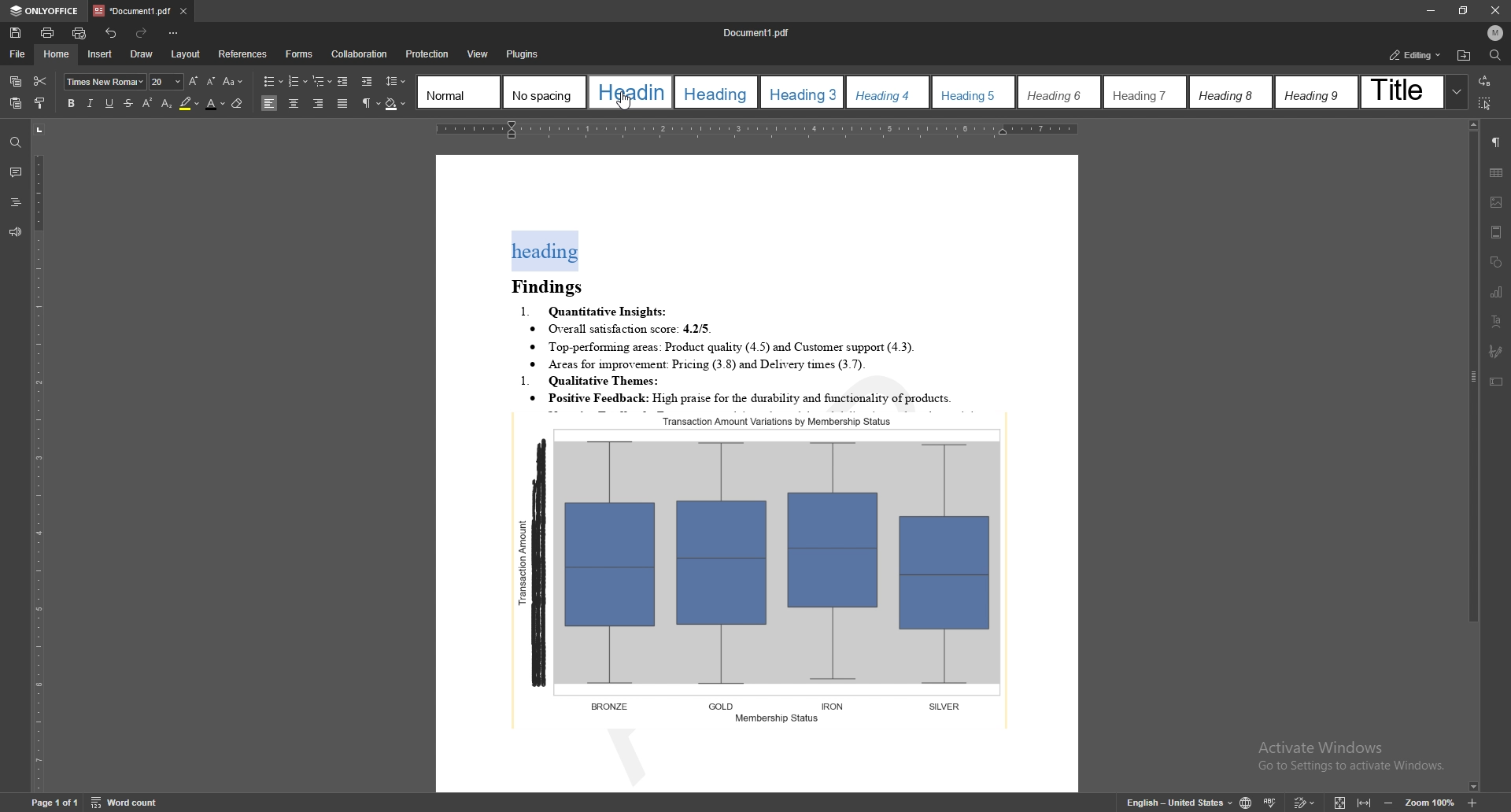 The image size is (1511, 812). I want to click on find, so click(1496, 56).